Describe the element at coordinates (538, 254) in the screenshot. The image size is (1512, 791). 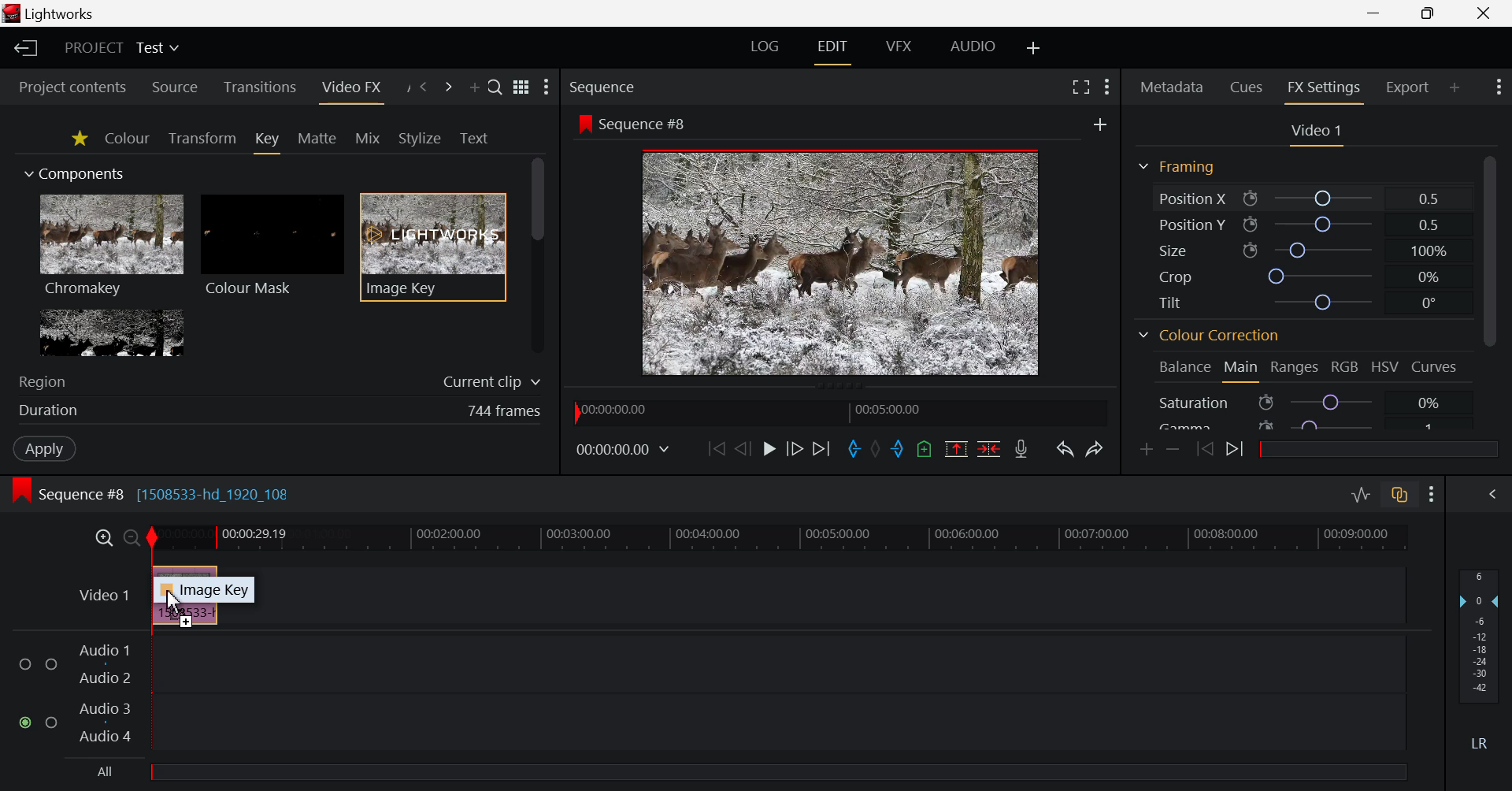
I see `Scroll Bar` at that location.